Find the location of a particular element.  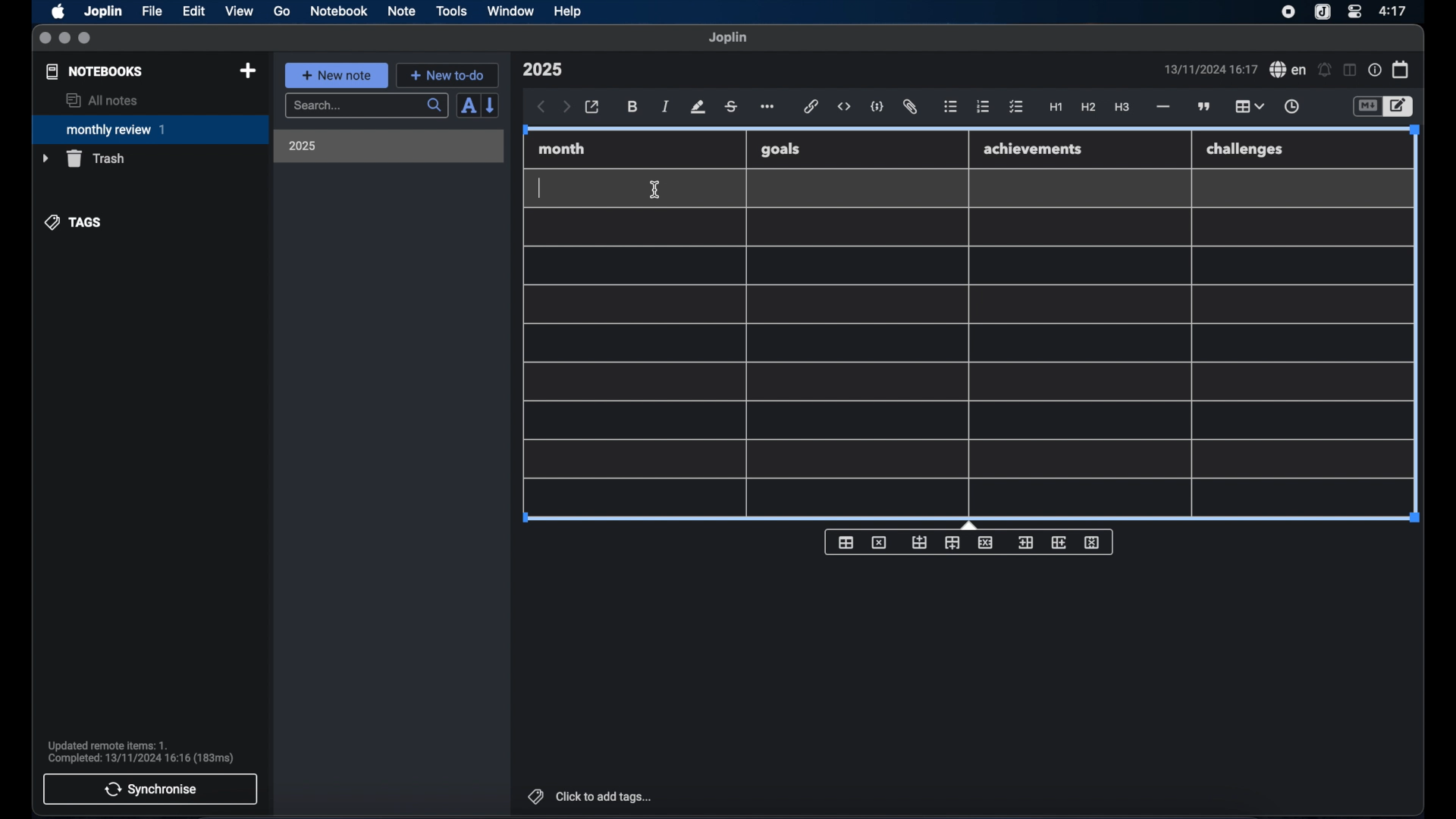

block quotes is located at coordinates (1205, 107).